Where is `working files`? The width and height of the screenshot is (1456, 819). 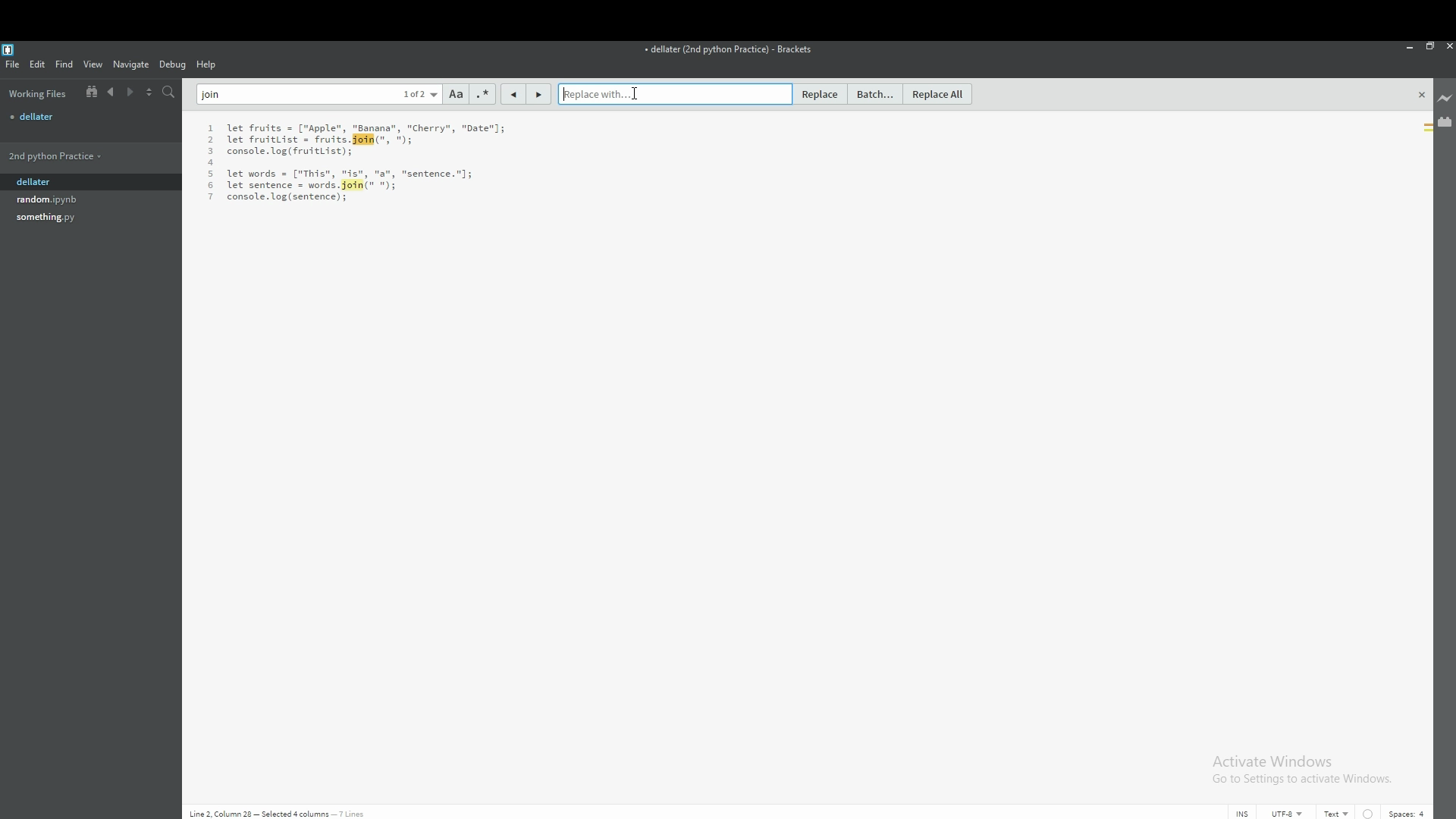
working files is located at coordinates (38, 93).